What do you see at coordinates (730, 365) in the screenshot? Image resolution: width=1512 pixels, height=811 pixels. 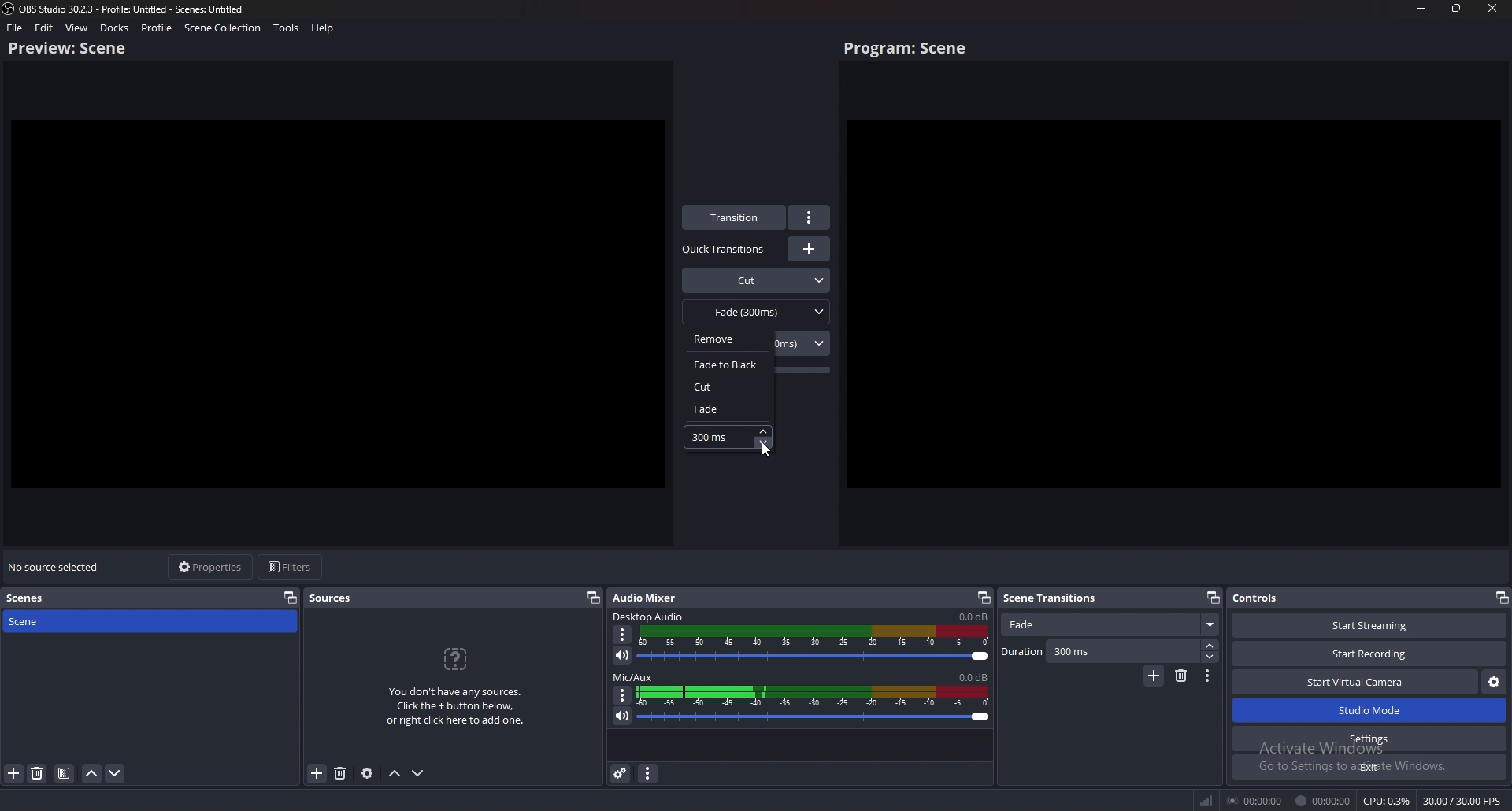 I see `fade to black` at bounding box center [730, 365].